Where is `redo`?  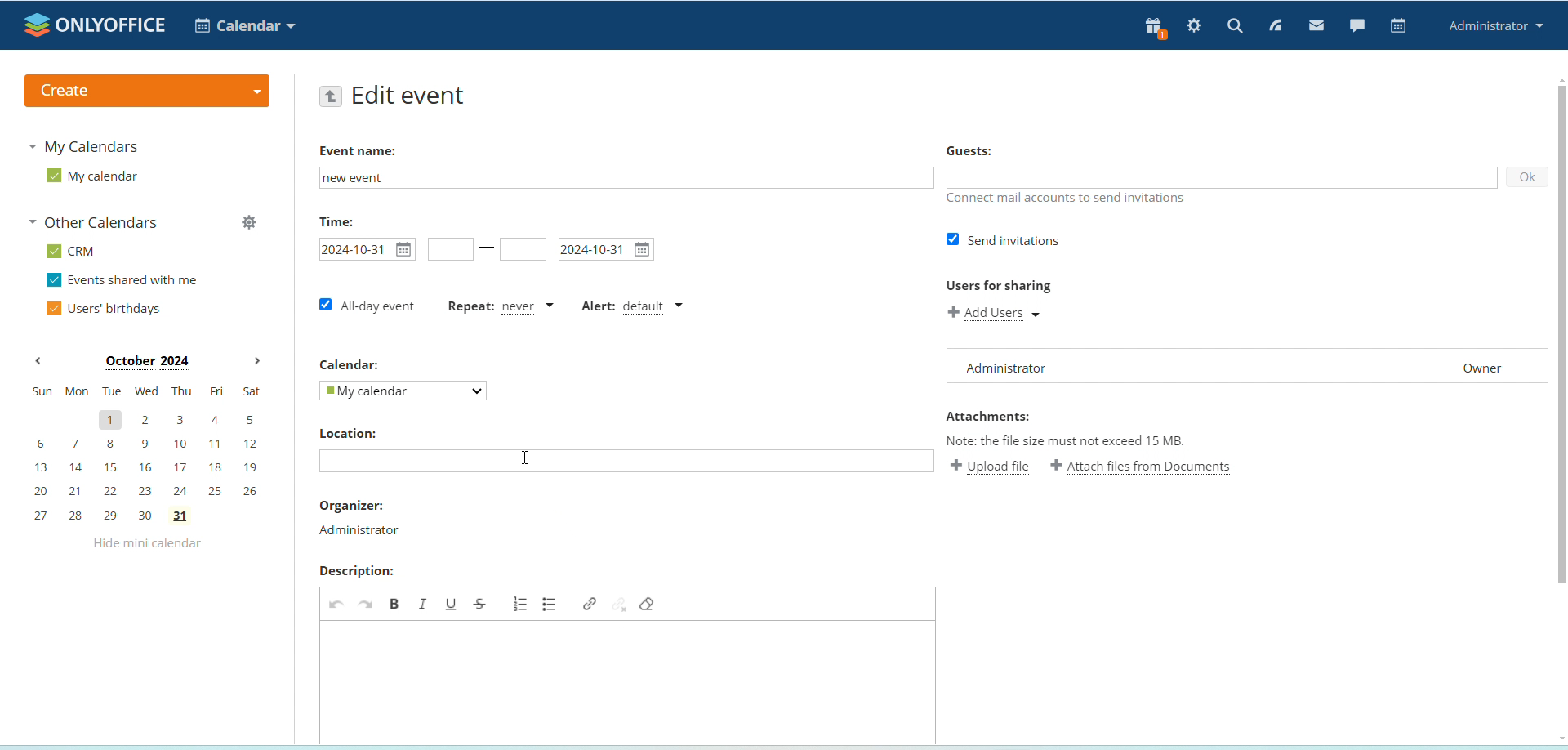
redo is located at coordinates (366, 603).